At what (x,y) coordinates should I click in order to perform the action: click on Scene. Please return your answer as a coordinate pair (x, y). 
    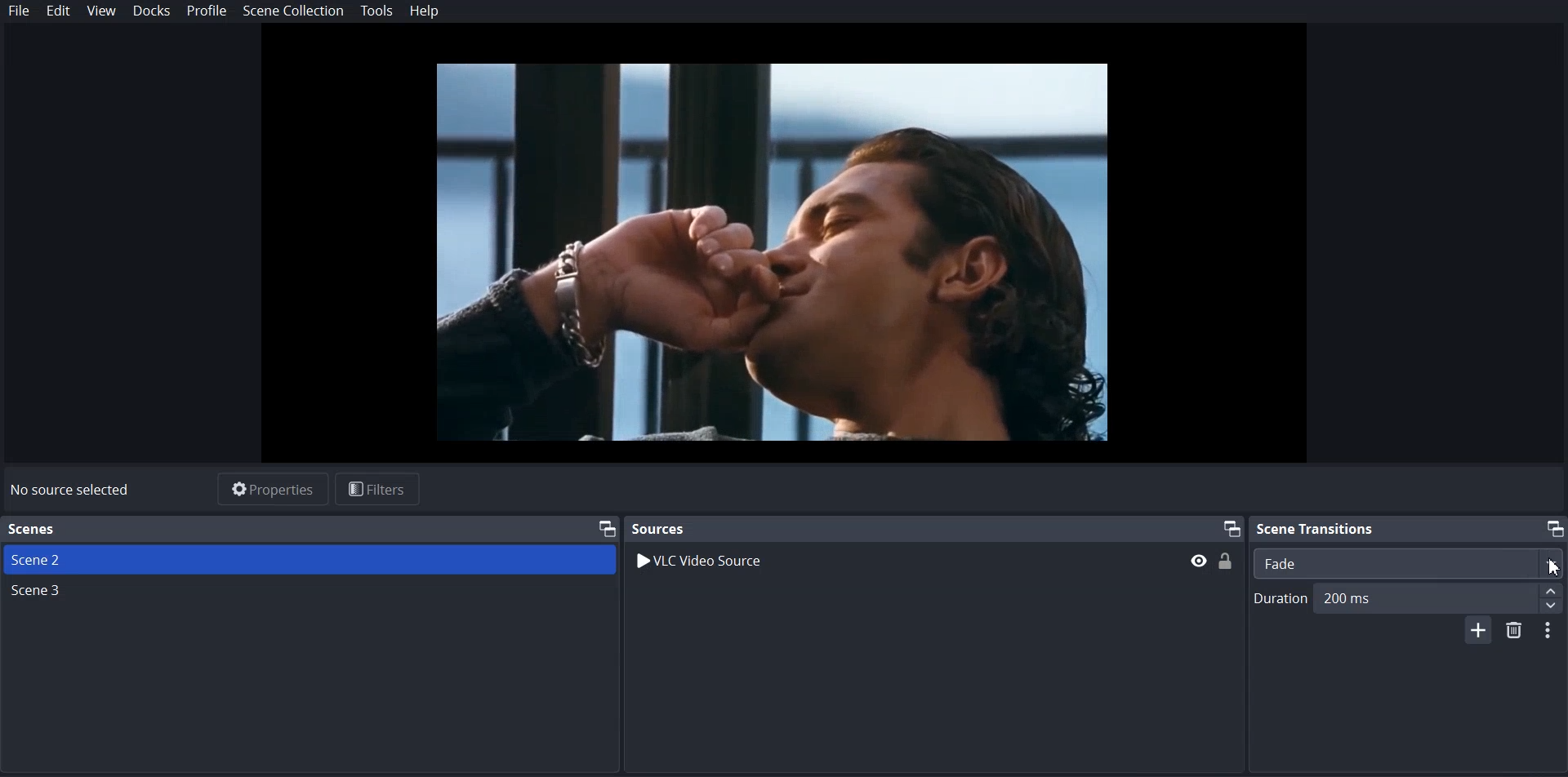
    Looking at the image, I should click on (309, 559).